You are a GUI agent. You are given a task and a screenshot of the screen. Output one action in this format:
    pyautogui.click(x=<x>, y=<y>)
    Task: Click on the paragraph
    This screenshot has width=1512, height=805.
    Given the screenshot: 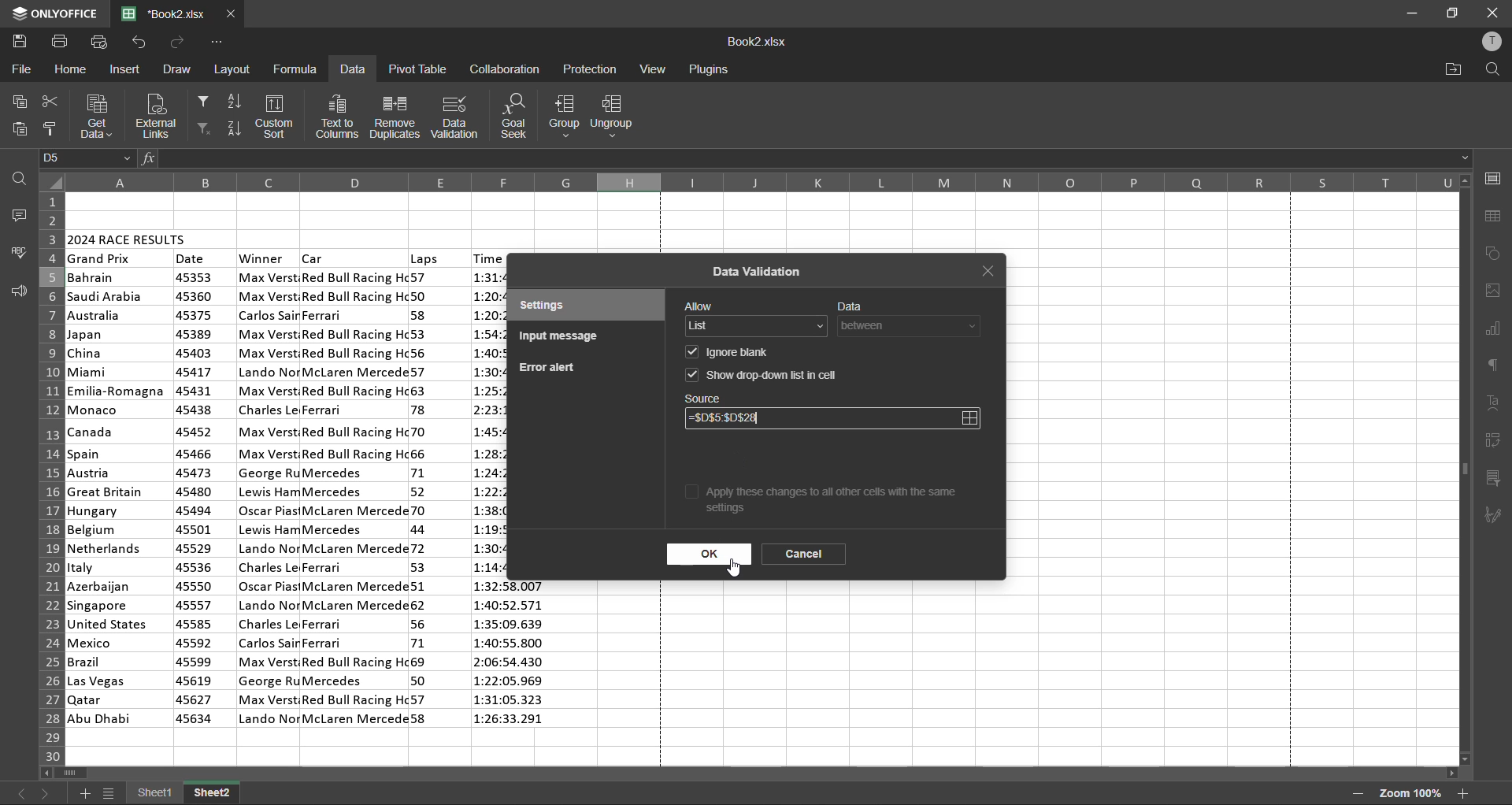 What is the action you would take?
    pyautogui.click(x=1497, y=364)
    